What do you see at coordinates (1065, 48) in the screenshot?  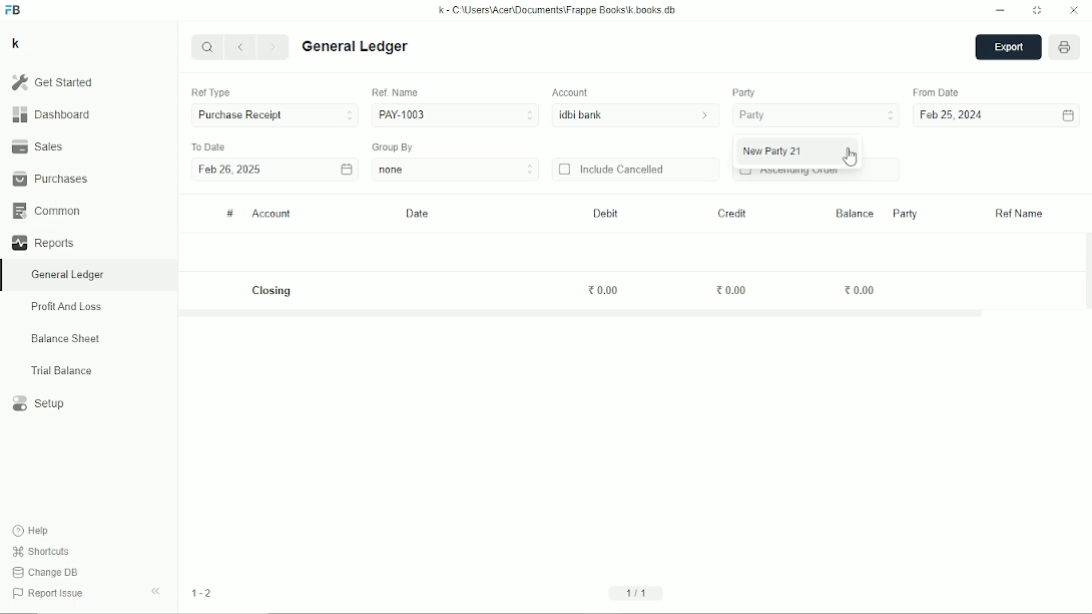 I see `Open report print view` at bounding box center [1065, 48].